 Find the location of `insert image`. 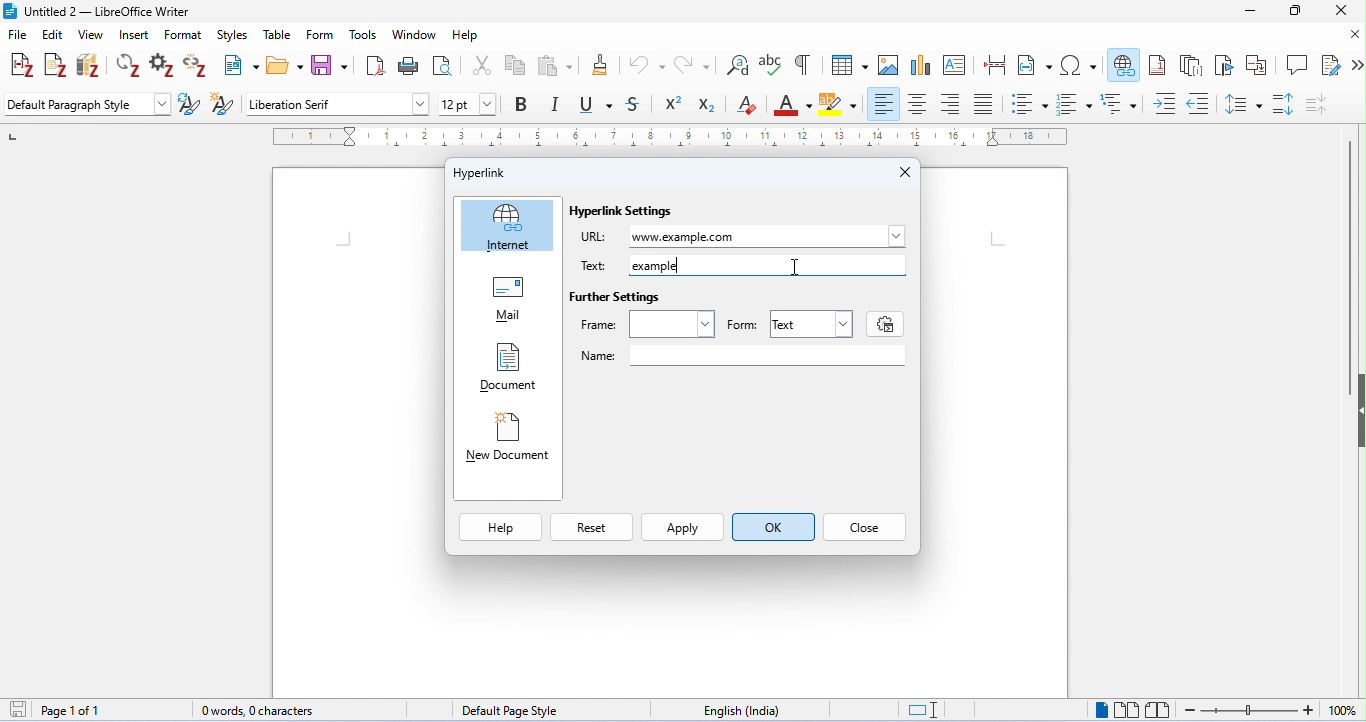

insert image is located at coordinates (890, 64).